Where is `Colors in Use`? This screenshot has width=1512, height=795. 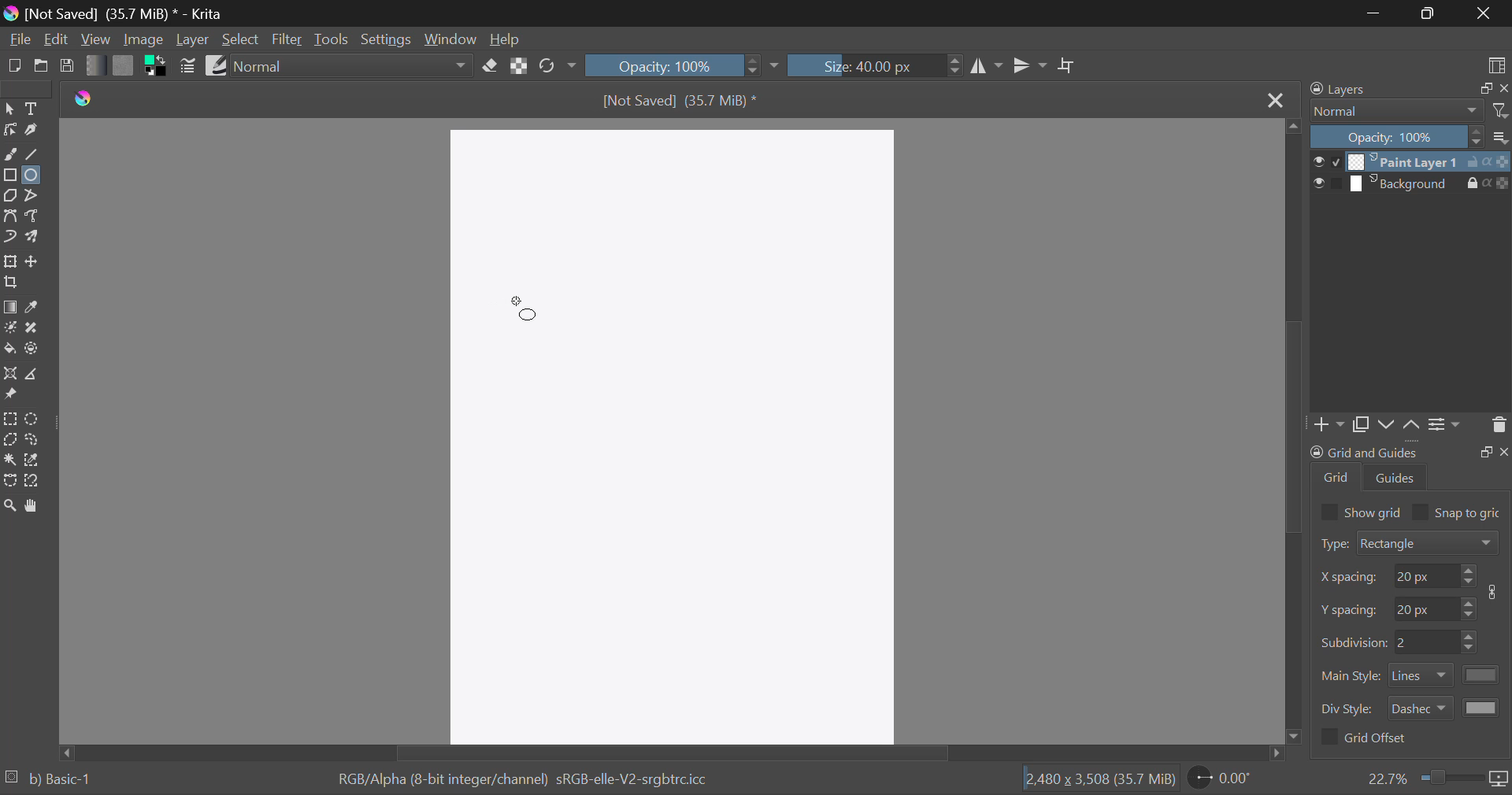 Colors in Use is located at coordinates (157, 68).